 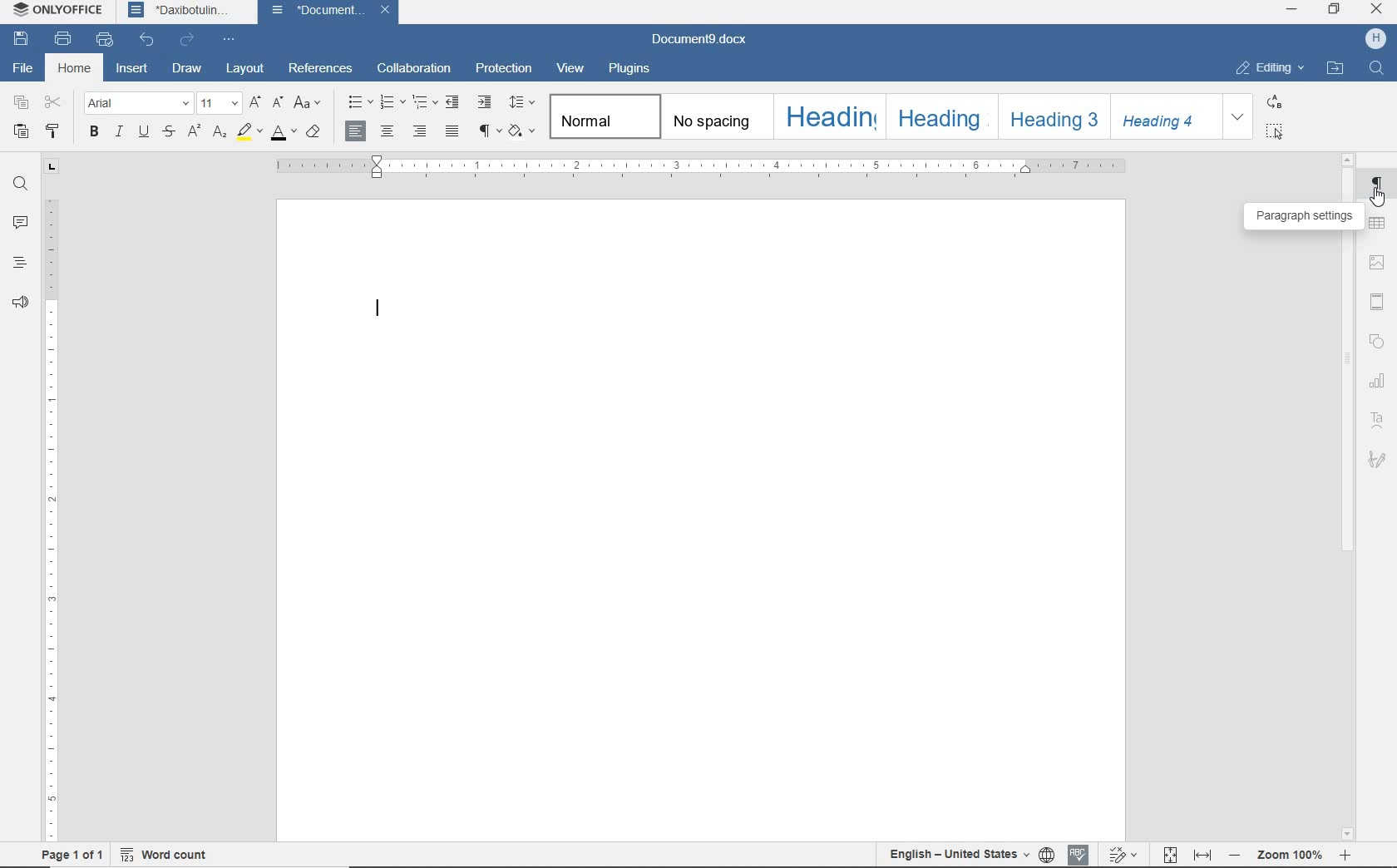 I want to click on clear style, so click(x=315, y=132).